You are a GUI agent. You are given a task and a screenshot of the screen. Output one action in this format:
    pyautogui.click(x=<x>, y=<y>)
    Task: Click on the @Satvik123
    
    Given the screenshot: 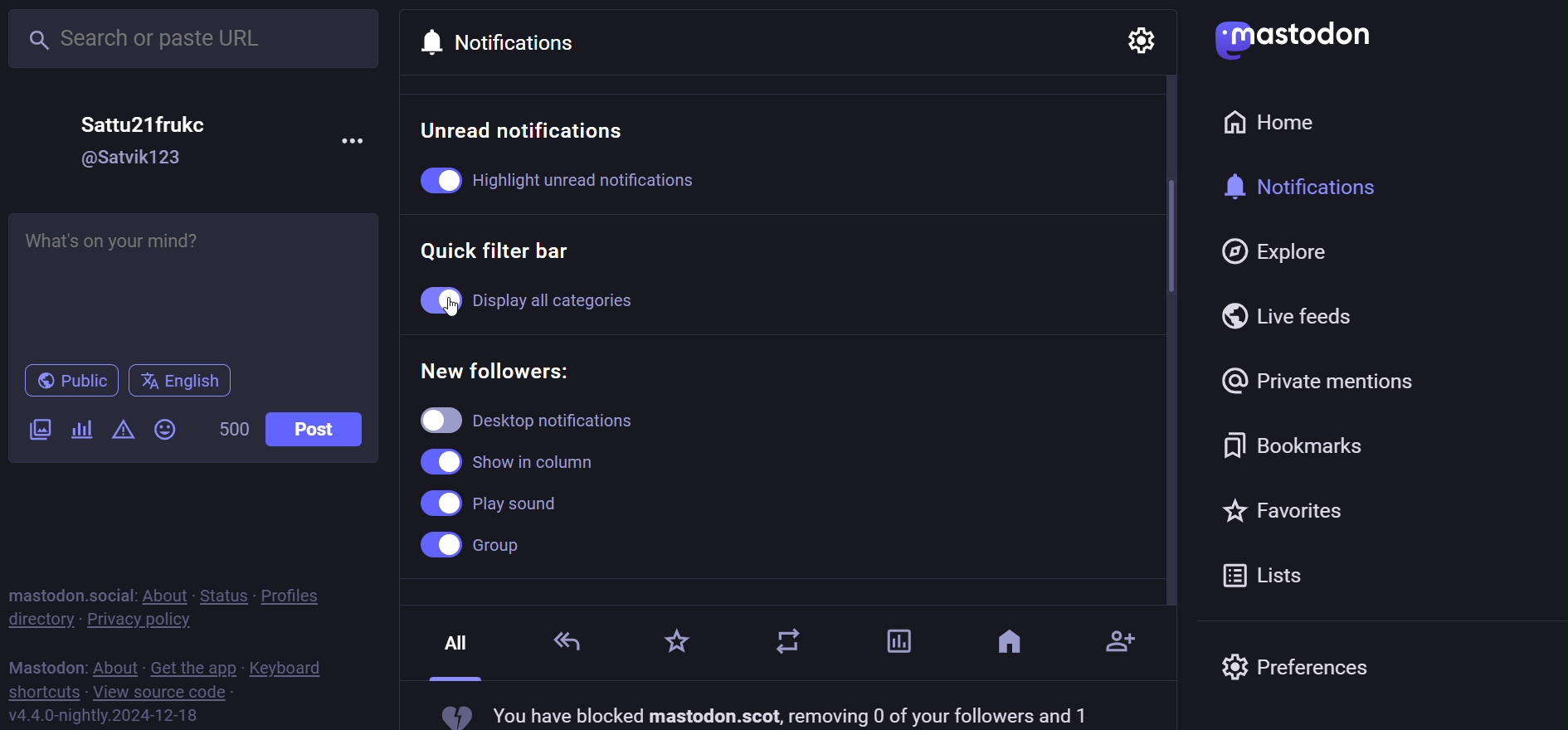 What is the action you would take?
    pyautogui.click(x=140, y=158)
    